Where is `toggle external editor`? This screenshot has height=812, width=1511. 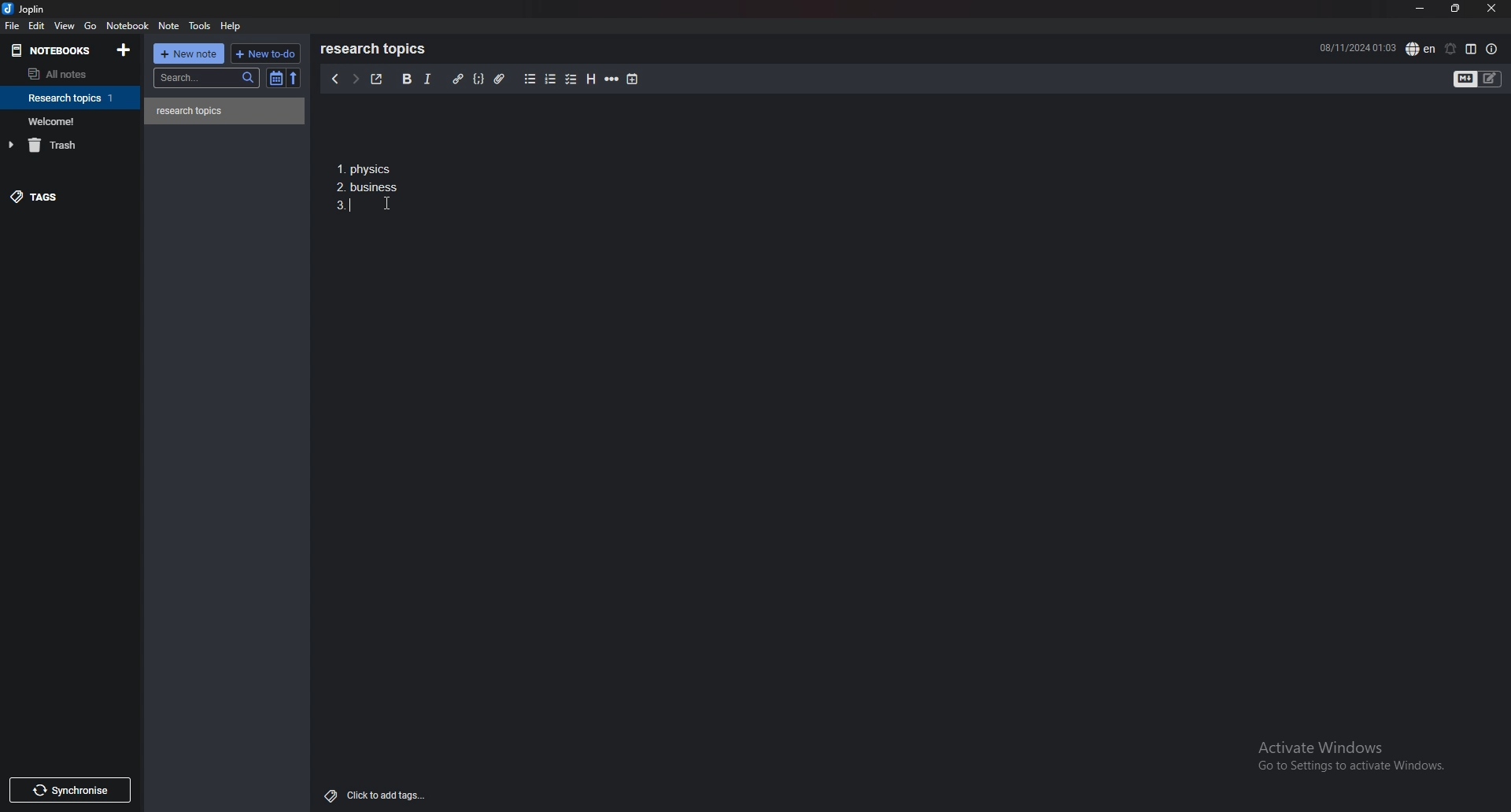 toggle external editor is located at coordinates (375, 79).